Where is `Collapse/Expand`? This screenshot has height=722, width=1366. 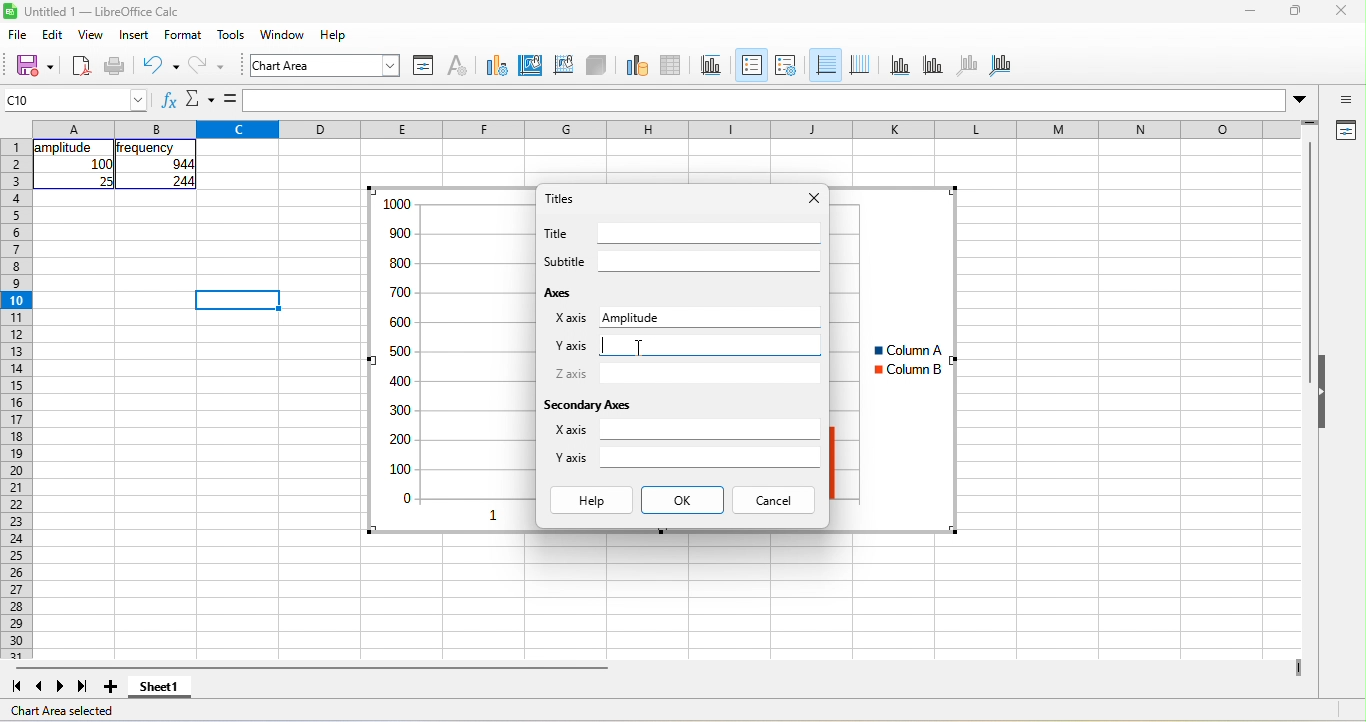
Collapse/Expand is located at coordinates (1322, 391).